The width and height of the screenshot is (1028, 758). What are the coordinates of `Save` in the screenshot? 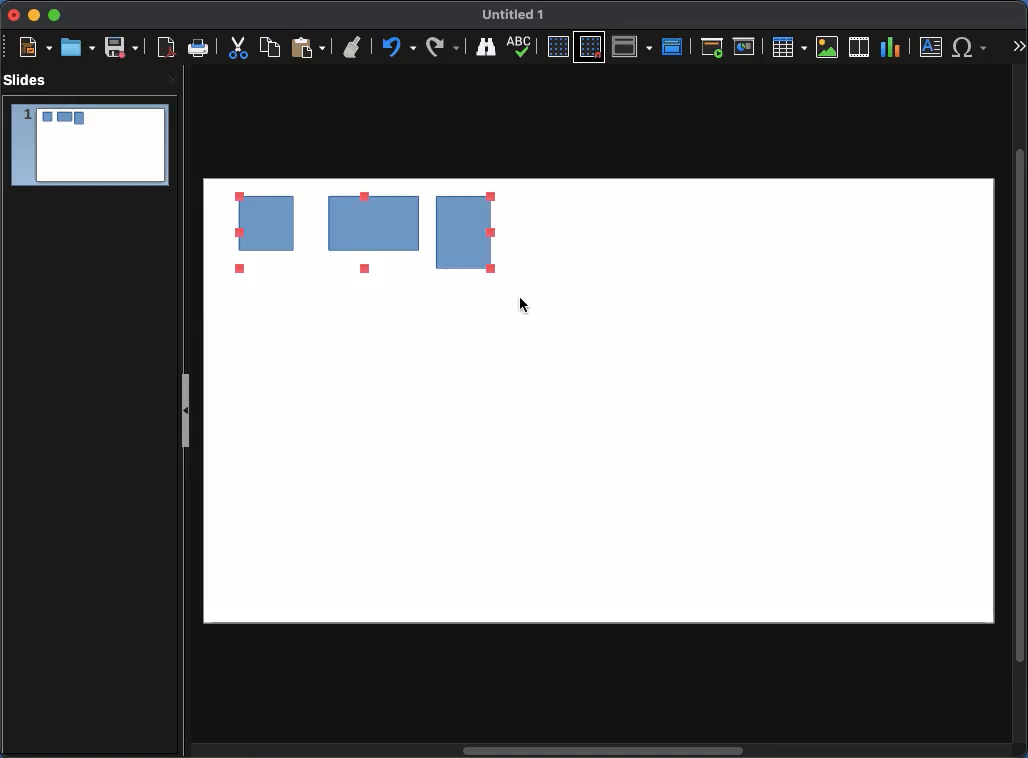 It's located at (121, 48).